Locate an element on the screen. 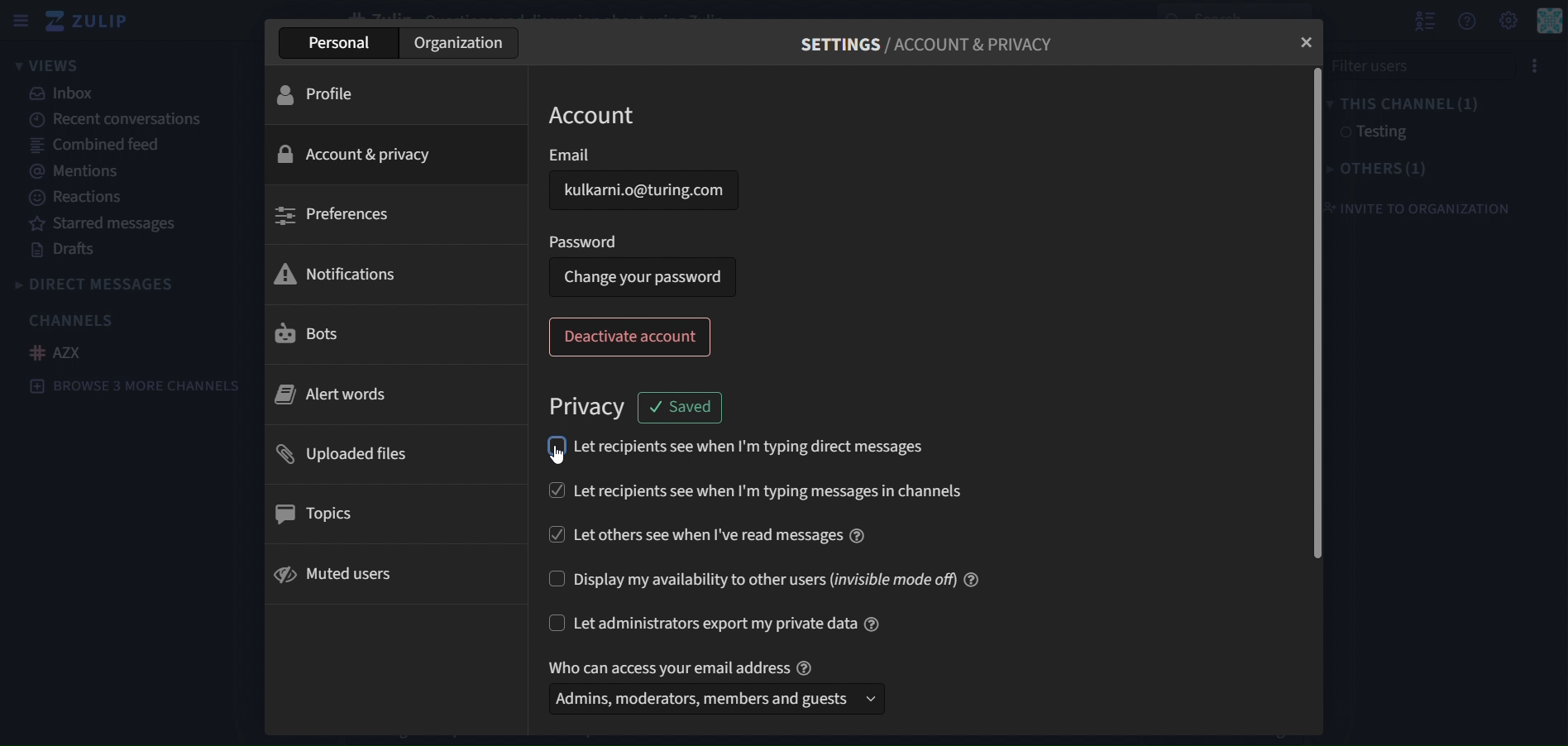  setting is located at coordinates (1508, 20).